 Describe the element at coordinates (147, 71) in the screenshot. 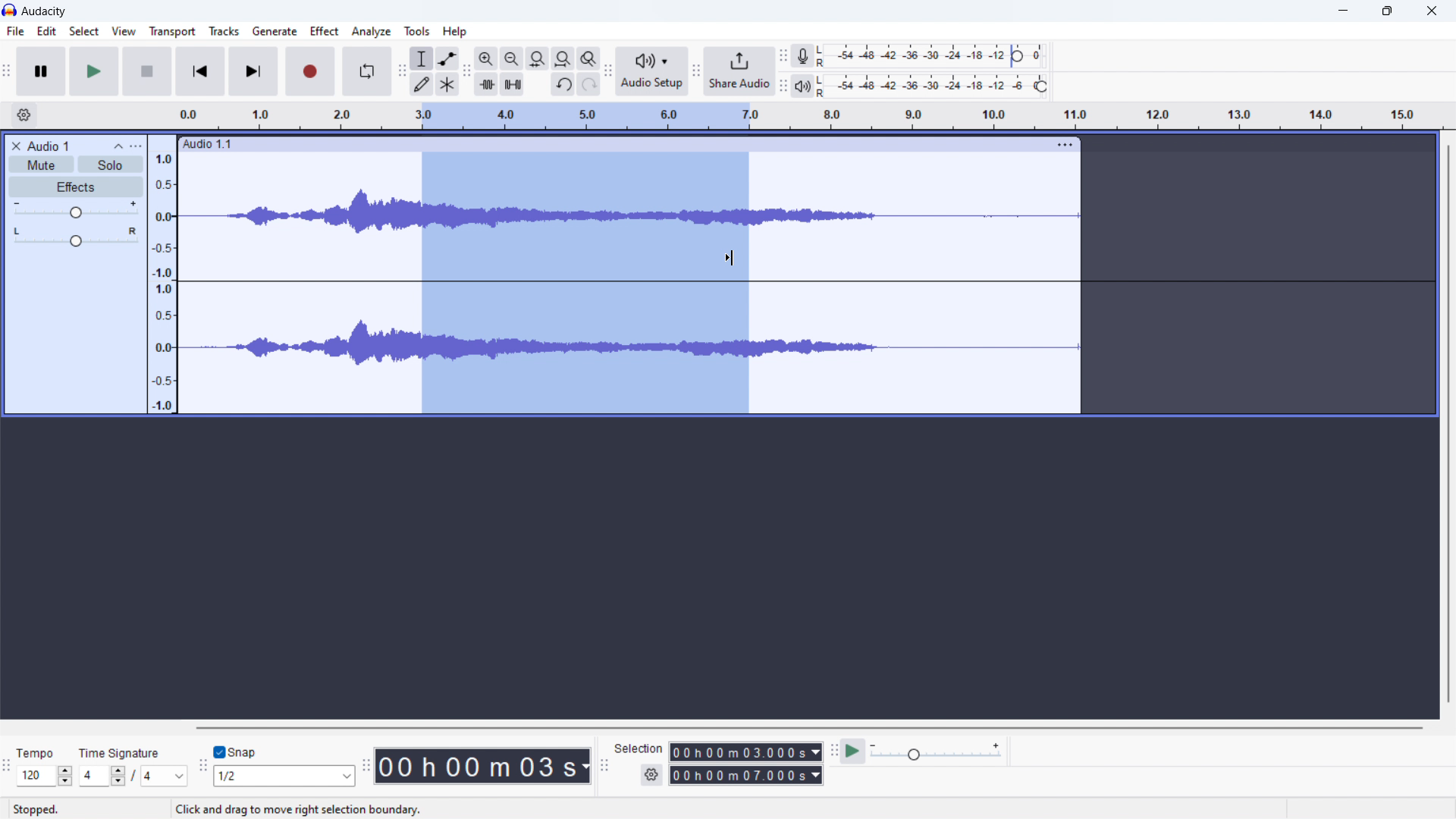

I see `stop` at that location.